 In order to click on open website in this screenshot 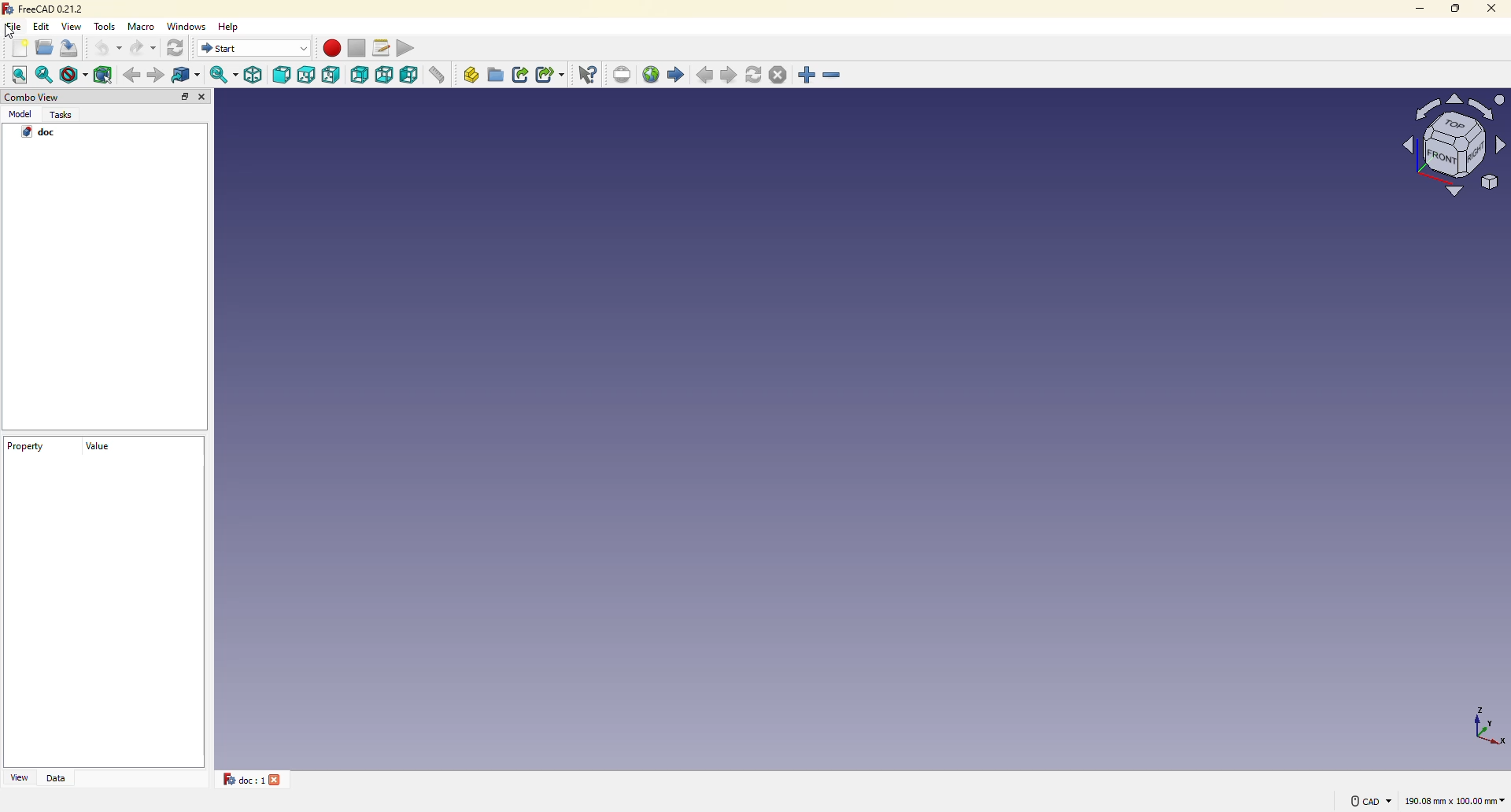, I will do `click(652, 73)`.